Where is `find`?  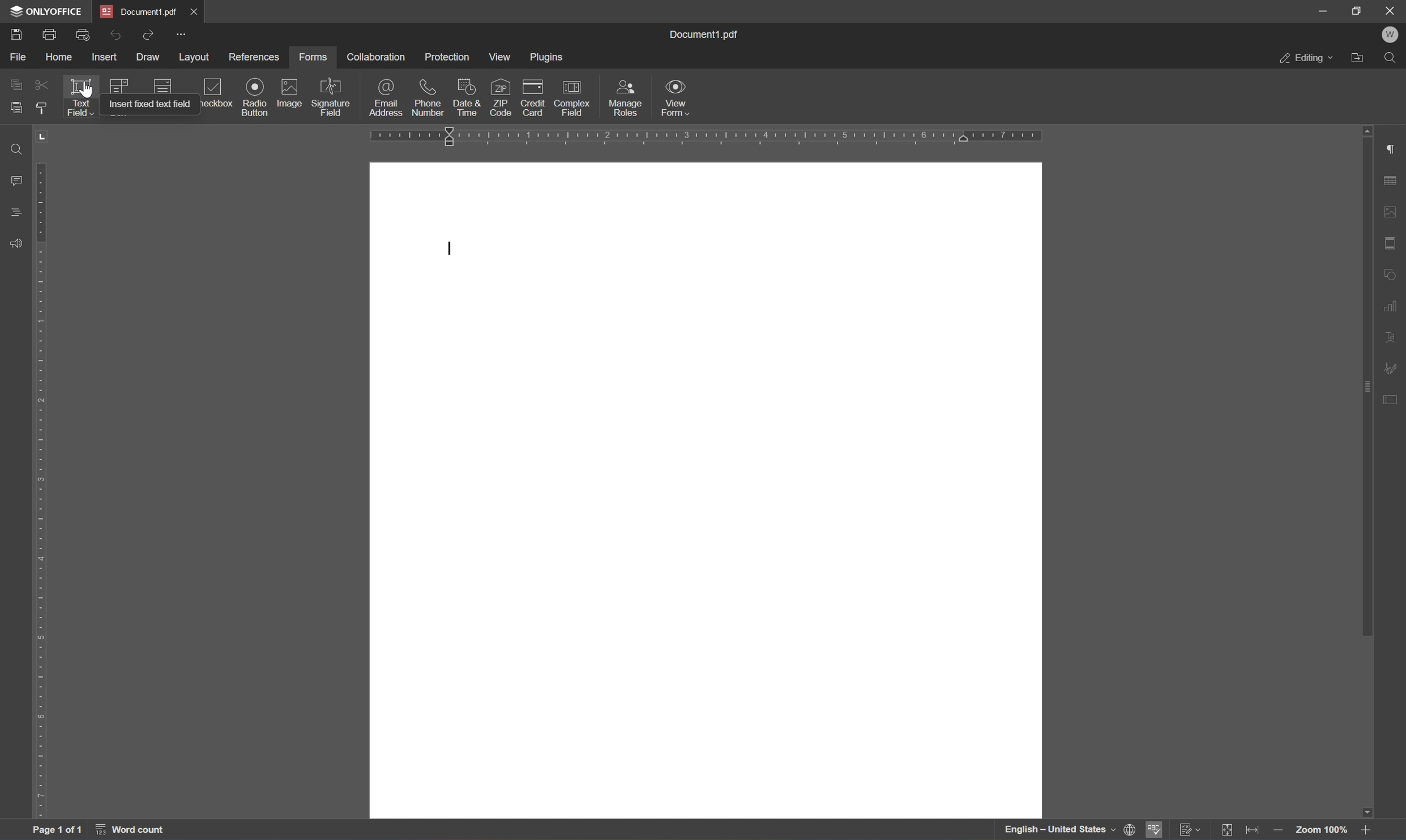
find is located at coordinates (20, 148).